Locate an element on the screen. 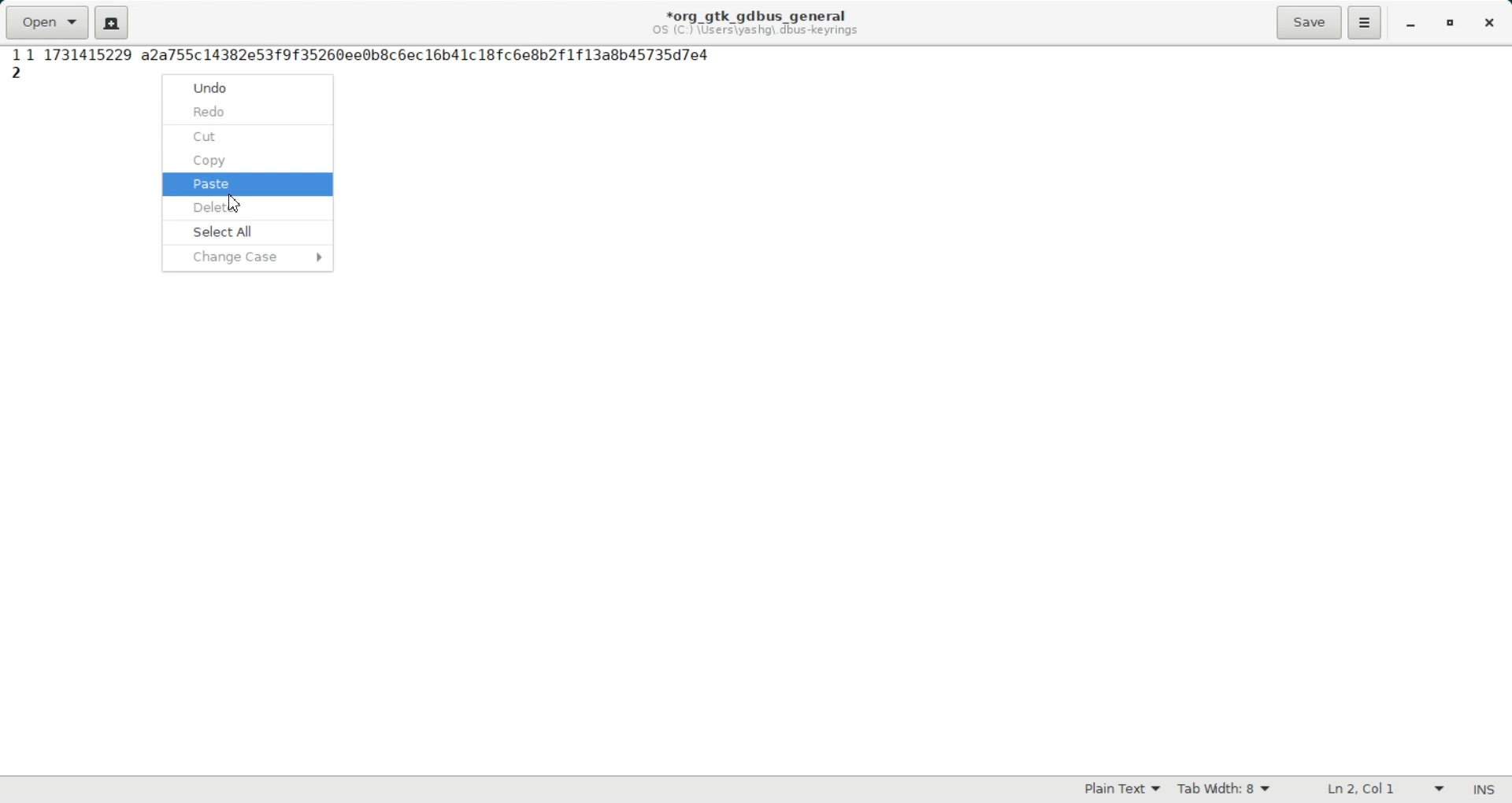 The image size is (1512, 803). Save is located at coordinates (1308, 22).